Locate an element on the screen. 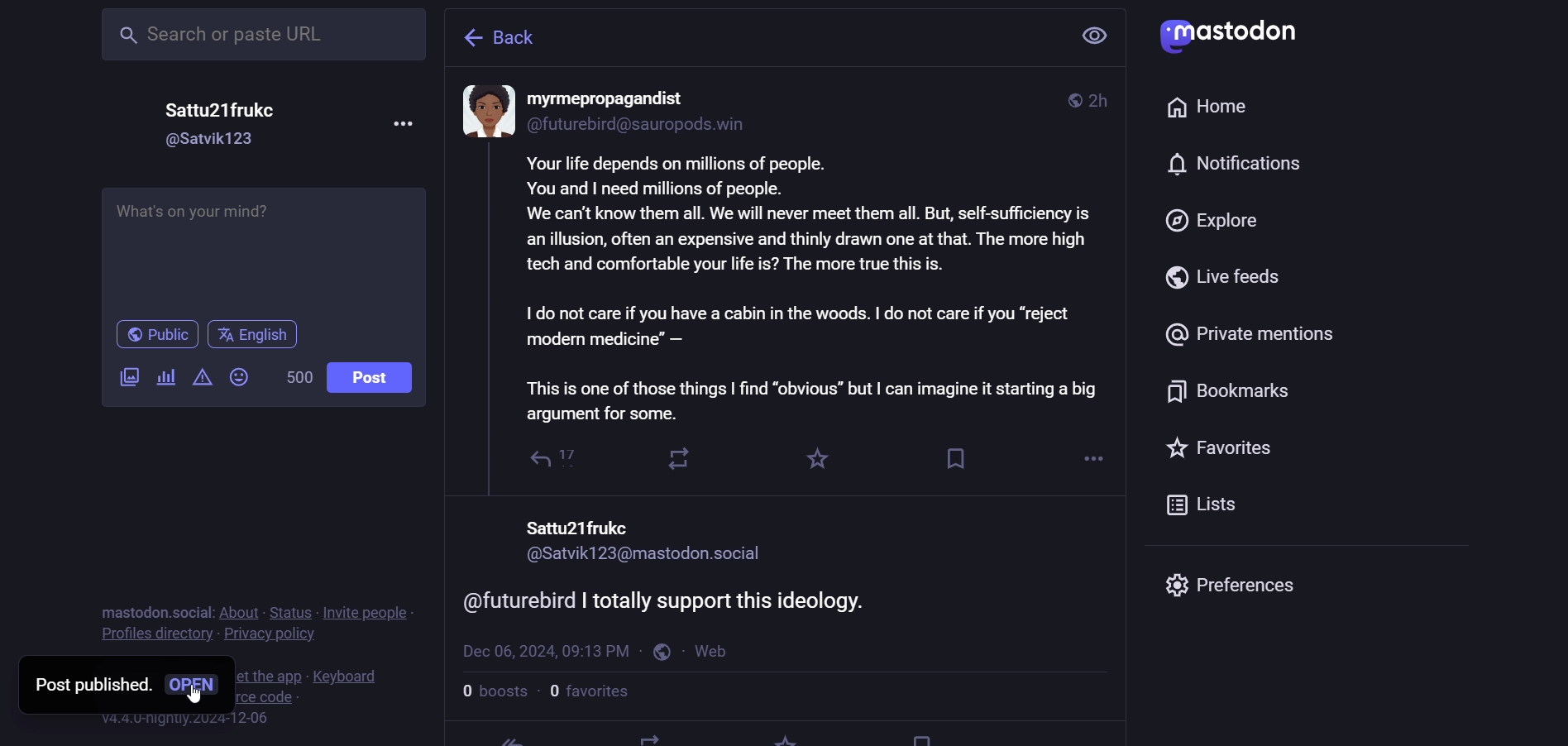 The height and width of the screenshot is (746, 1568). bookmark is located at coordinates (926, 735).